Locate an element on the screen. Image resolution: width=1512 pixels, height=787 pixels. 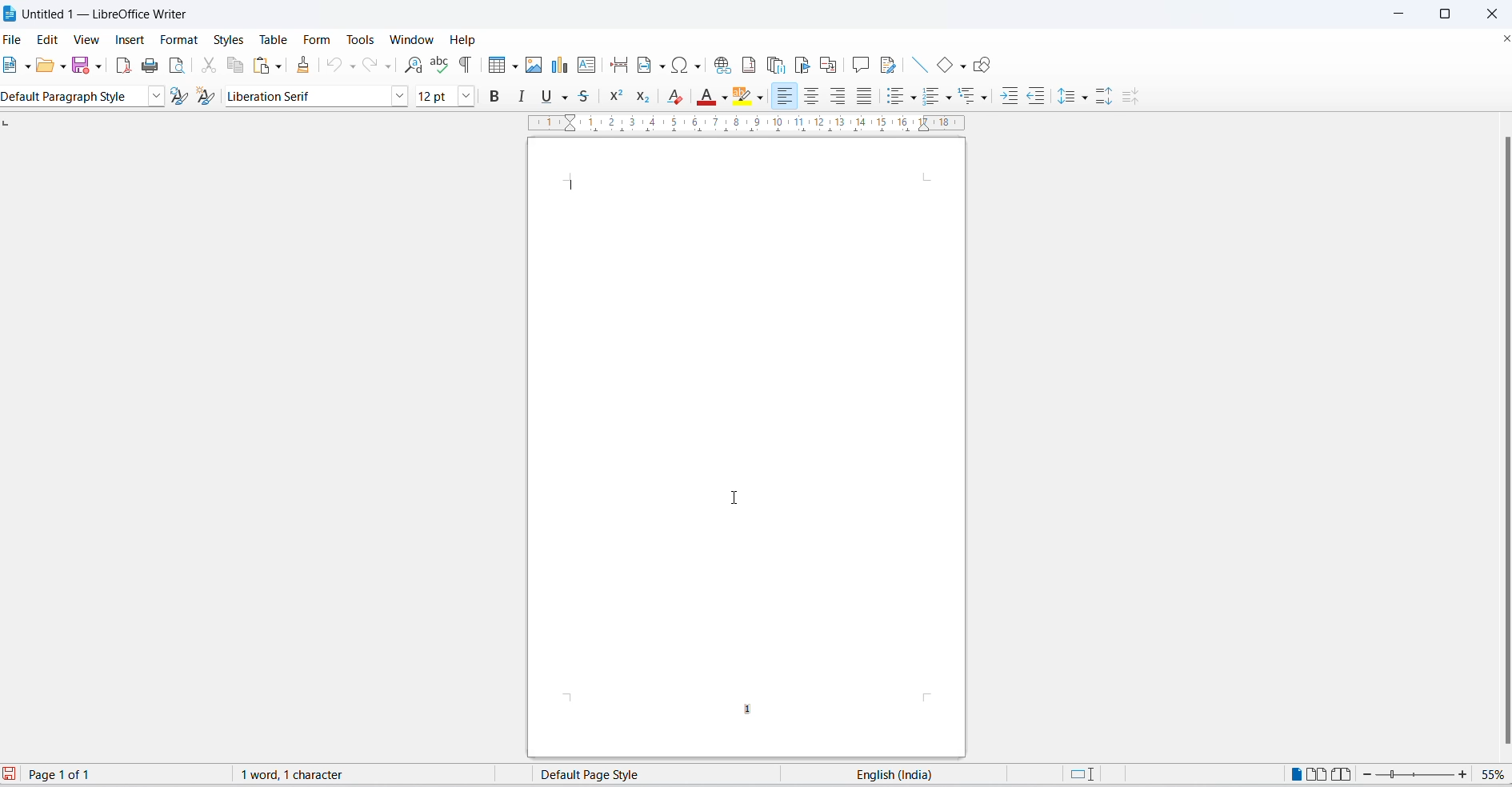
page number is located at coordinates (751, 709).